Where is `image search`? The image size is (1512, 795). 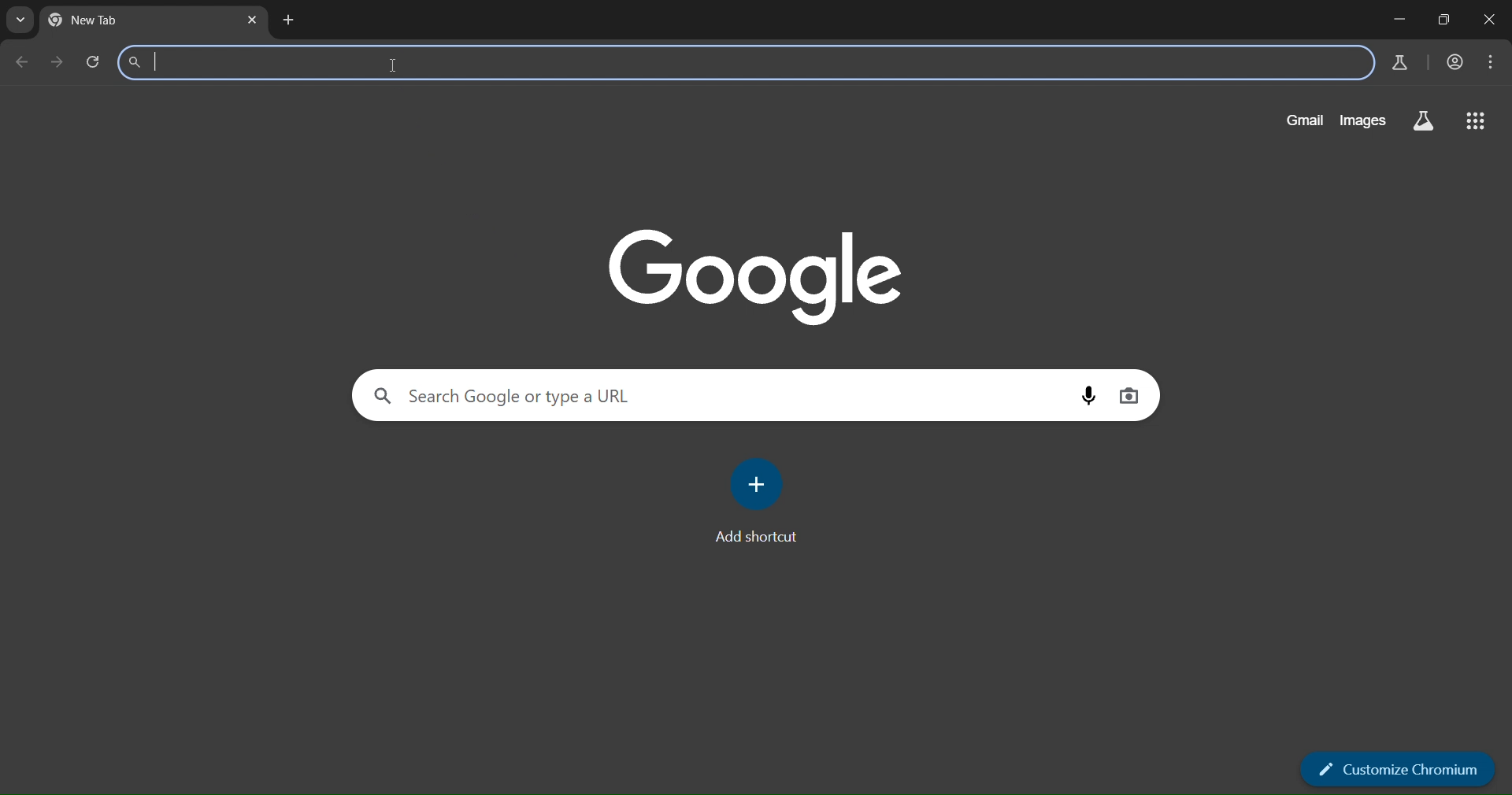
image search is located at coordinates (1132, 397).